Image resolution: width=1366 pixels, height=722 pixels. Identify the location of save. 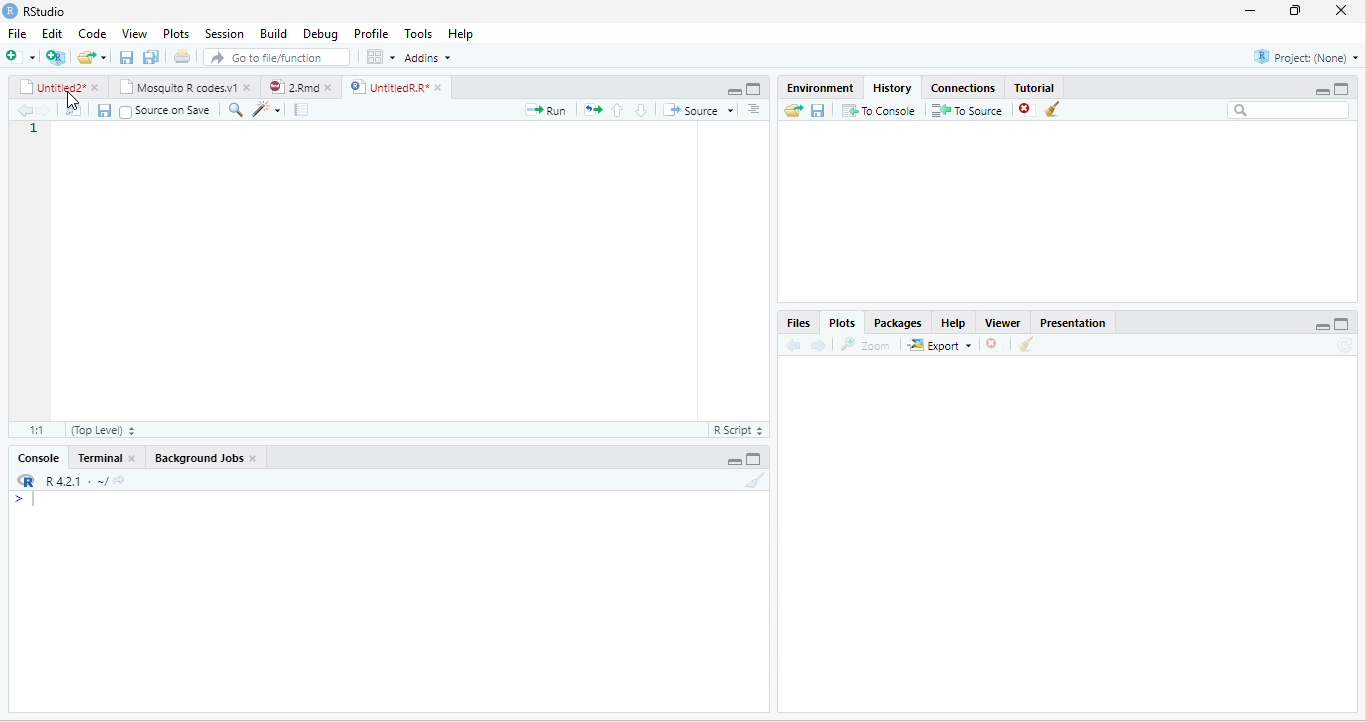
(817, 110).